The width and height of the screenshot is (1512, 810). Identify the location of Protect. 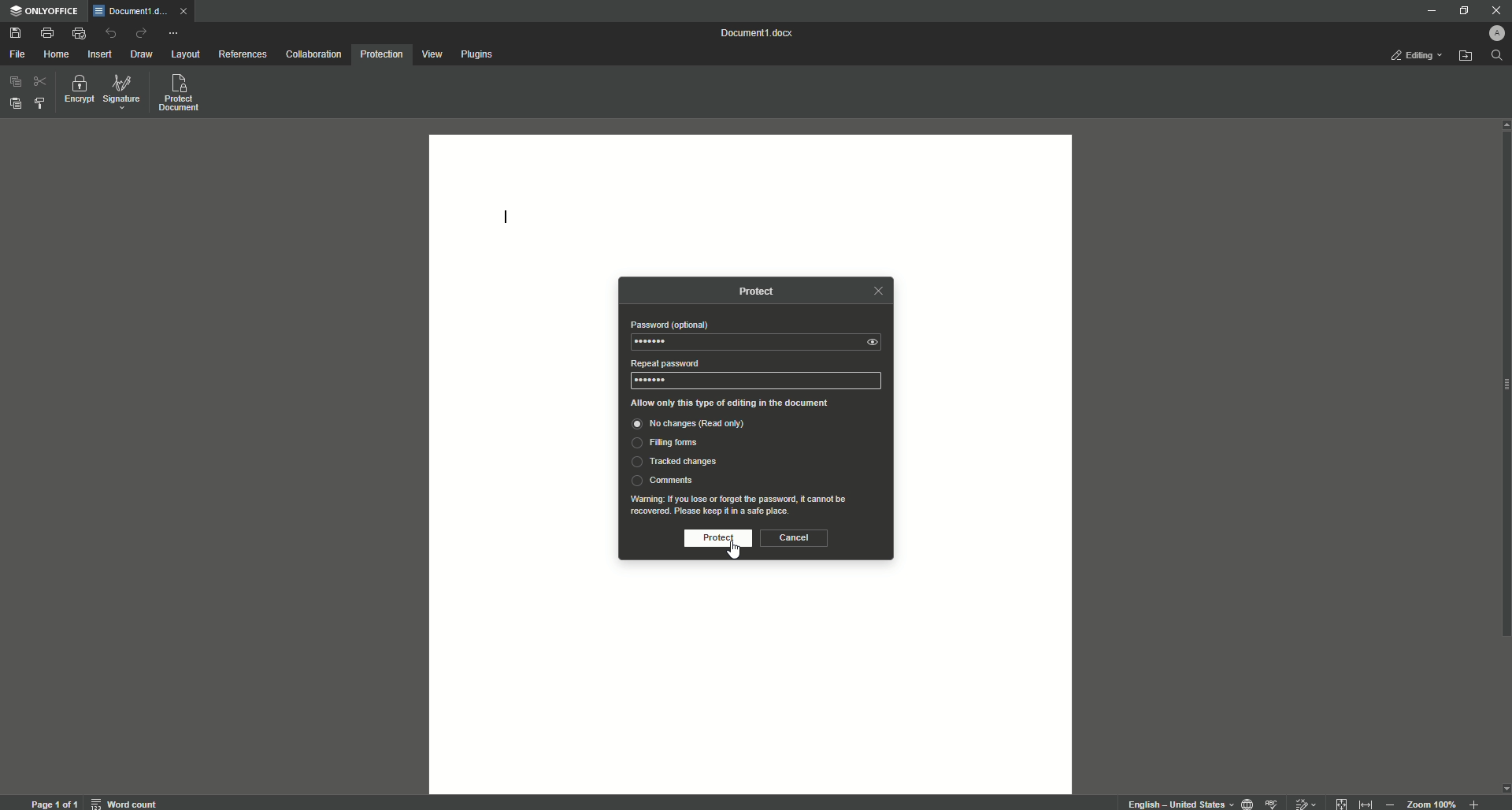
(713, 539).